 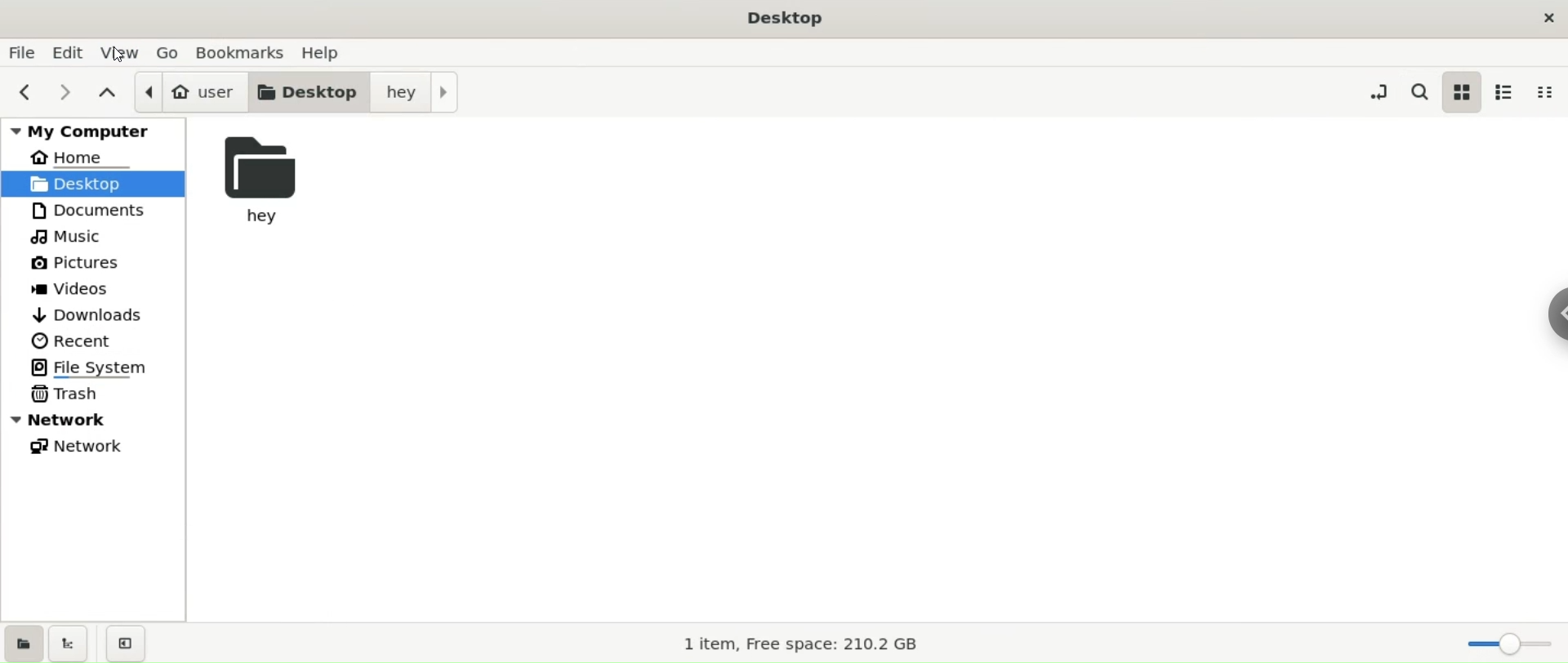 What do you see at coordinates (191, 91) in the screenshot?
I see `user` at bounding box center [191, 91].